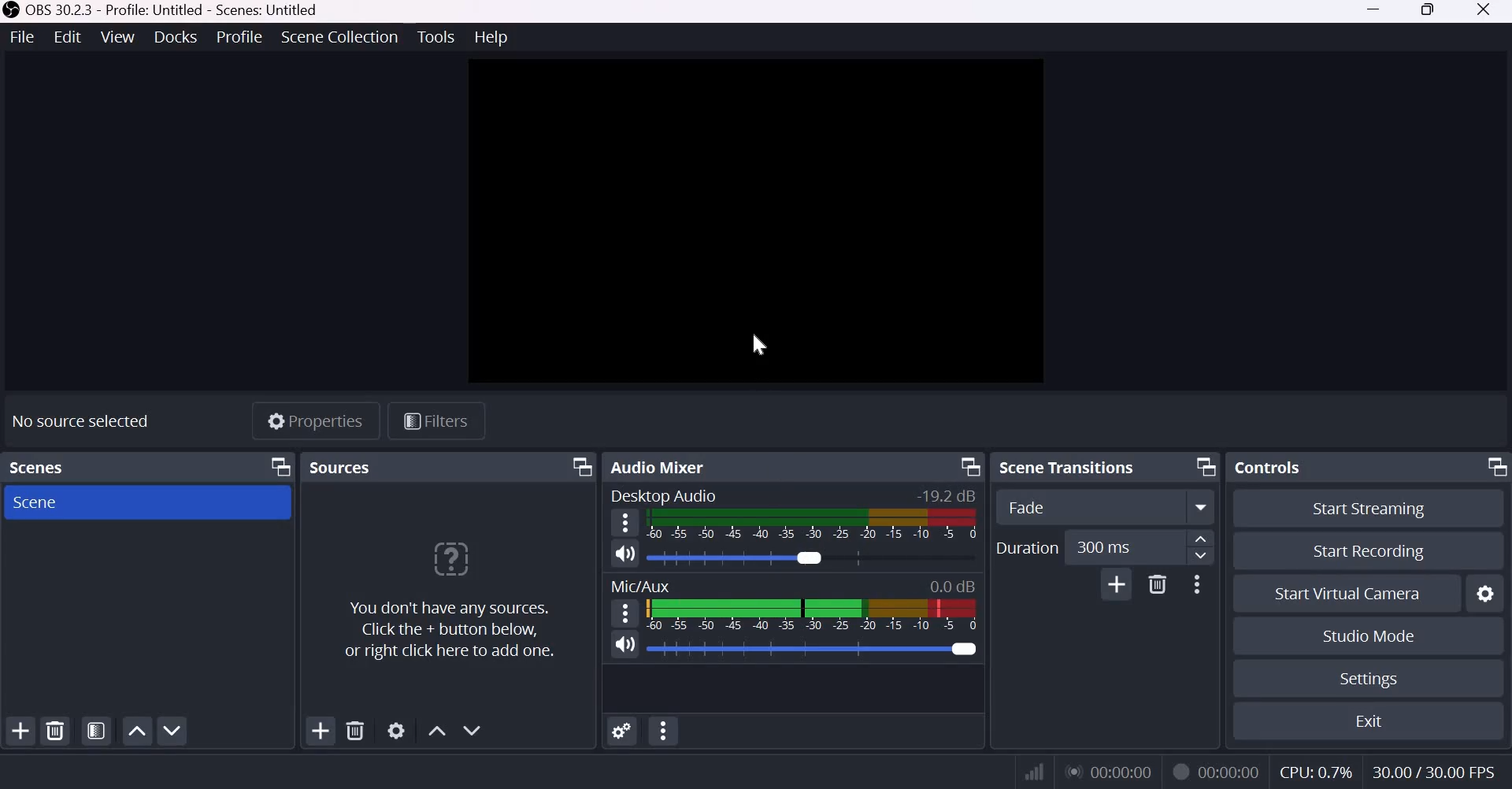 The image size is (1512, 789). What do you see at coordinates (811, 524) in the screenshot?
I see `Volume Meter` at bounding box center [811, 524].